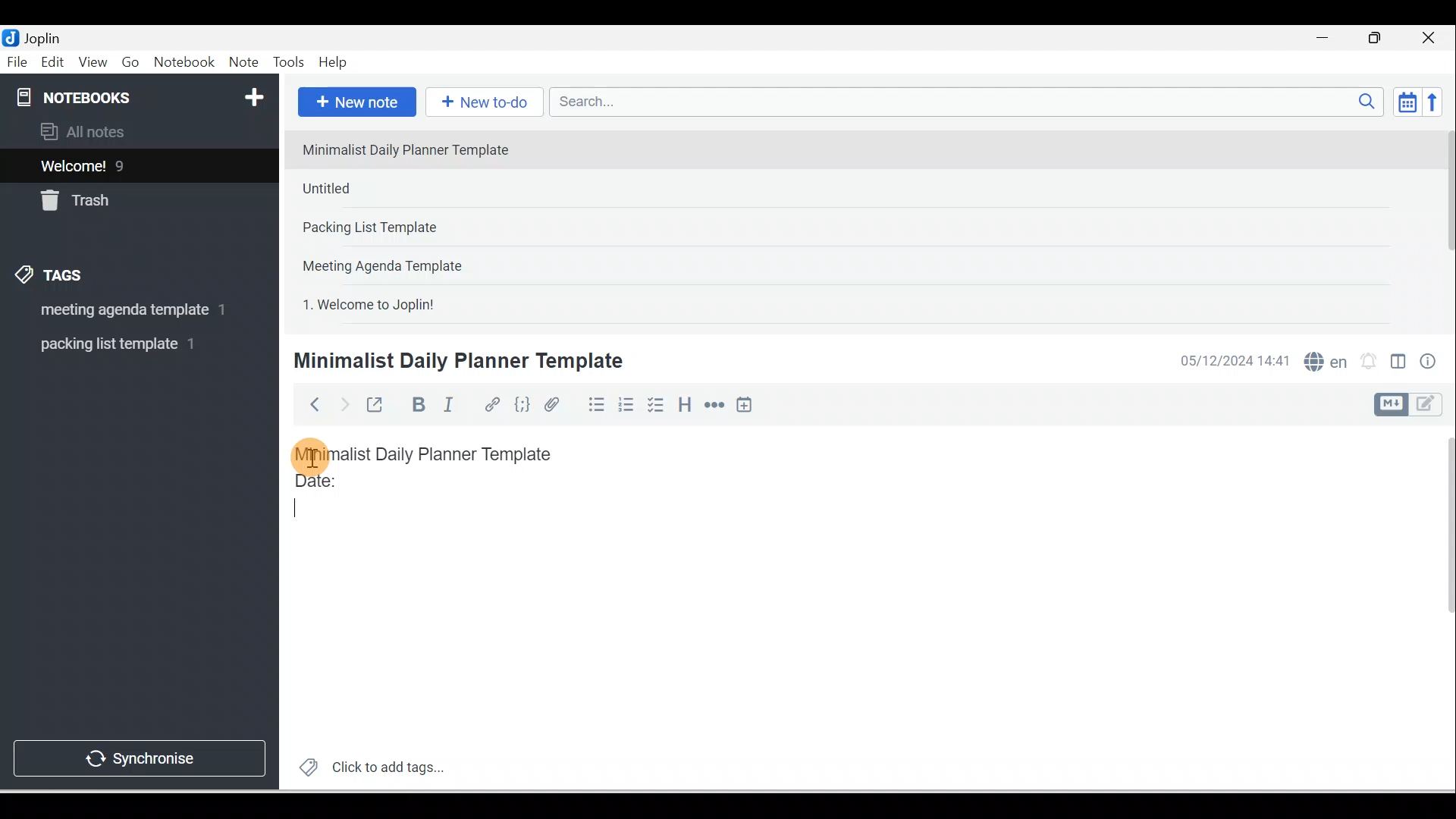 The image size is (1456, 819). What do you see at coordinates (303, 510) in the screenshot?
I see `Typing Cursor` at bounding box center [303, 510].